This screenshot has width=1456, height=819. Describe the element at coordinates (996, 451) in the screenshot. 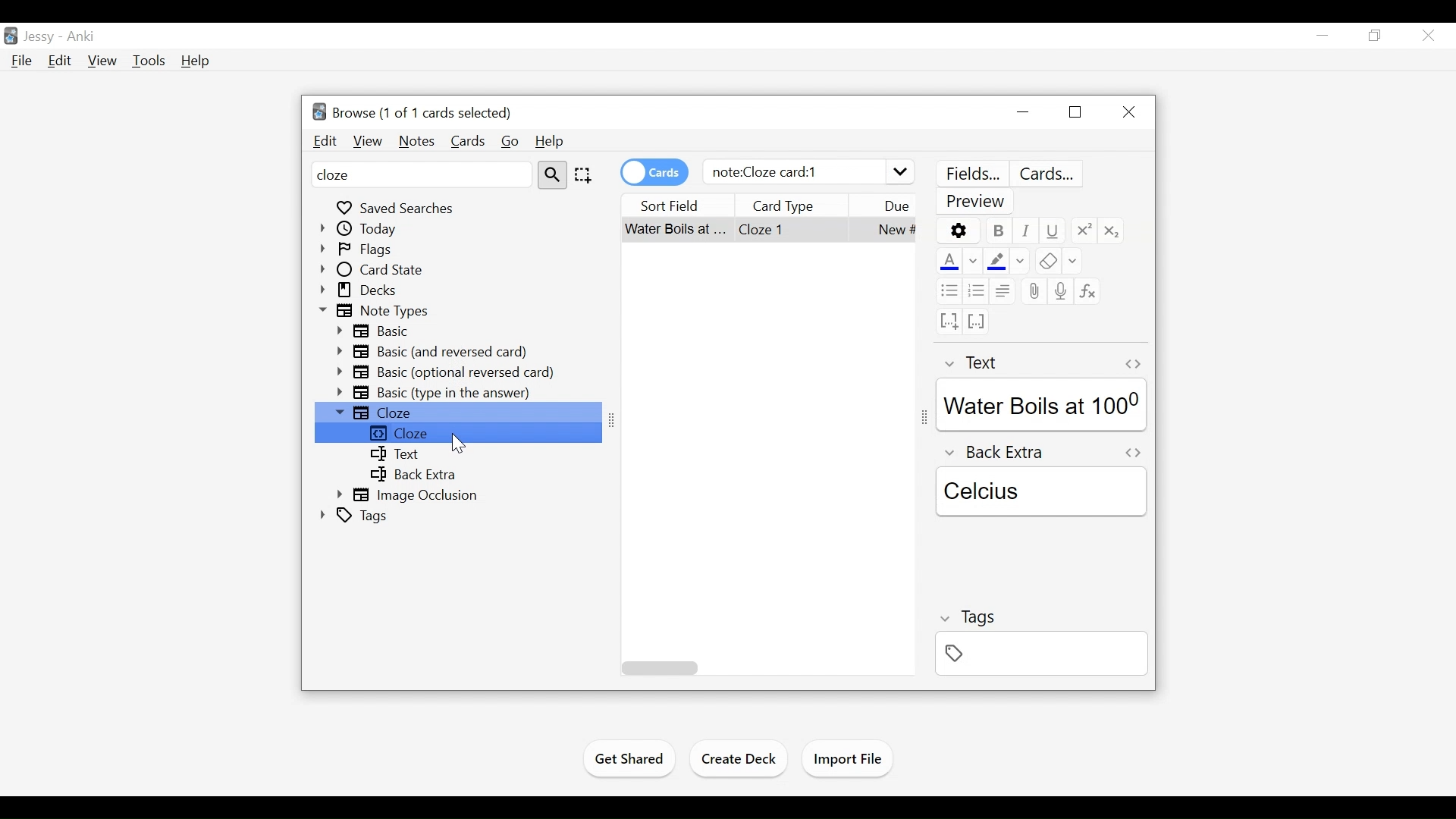

I see `Back Extra` at that location.